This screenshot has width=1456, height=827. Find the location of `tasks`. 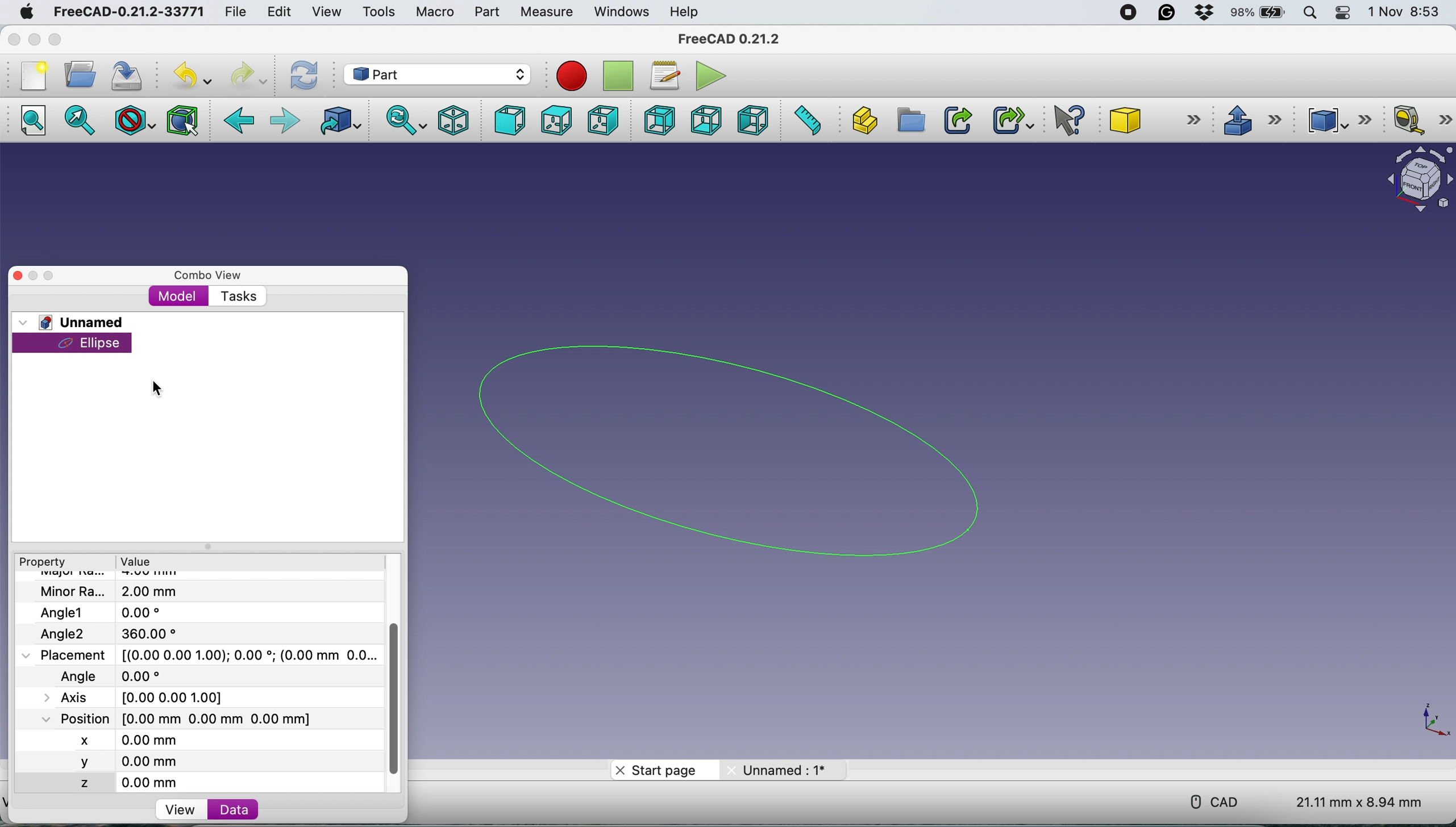

tasks is located at coordinates (238, 296).